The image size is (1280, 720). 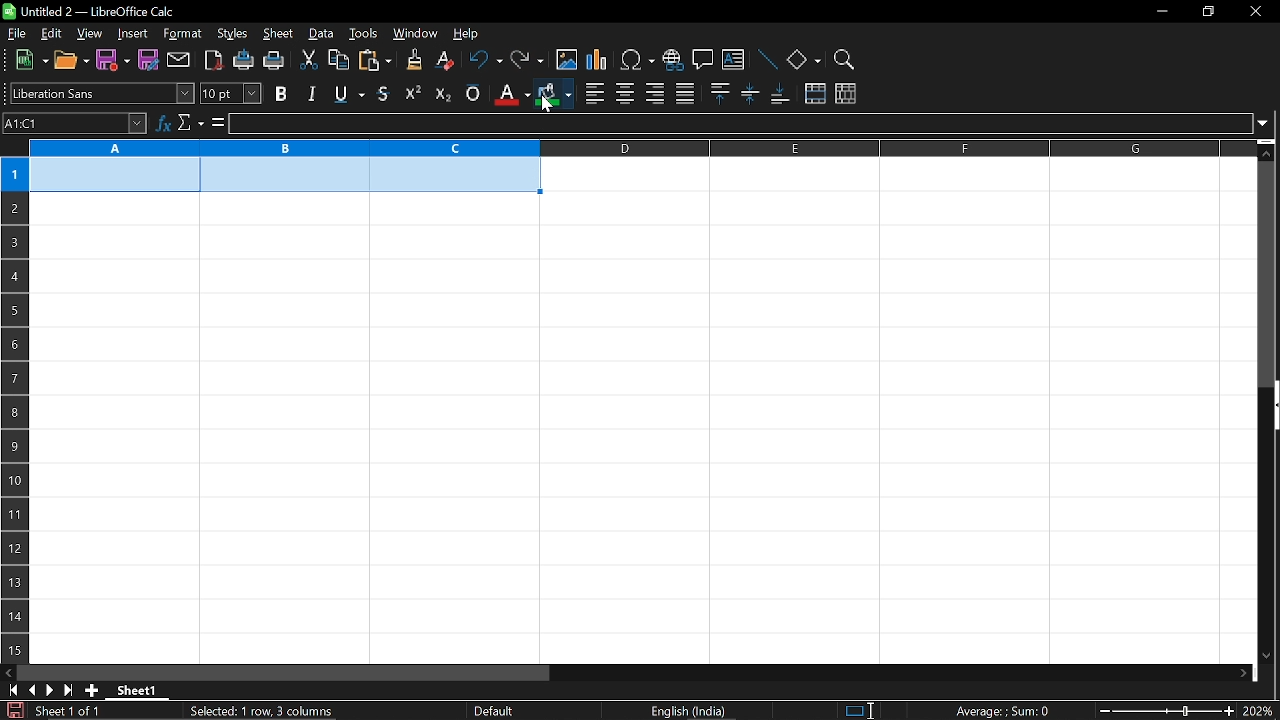 I want to click on sheet, so click(x=278, y=34).